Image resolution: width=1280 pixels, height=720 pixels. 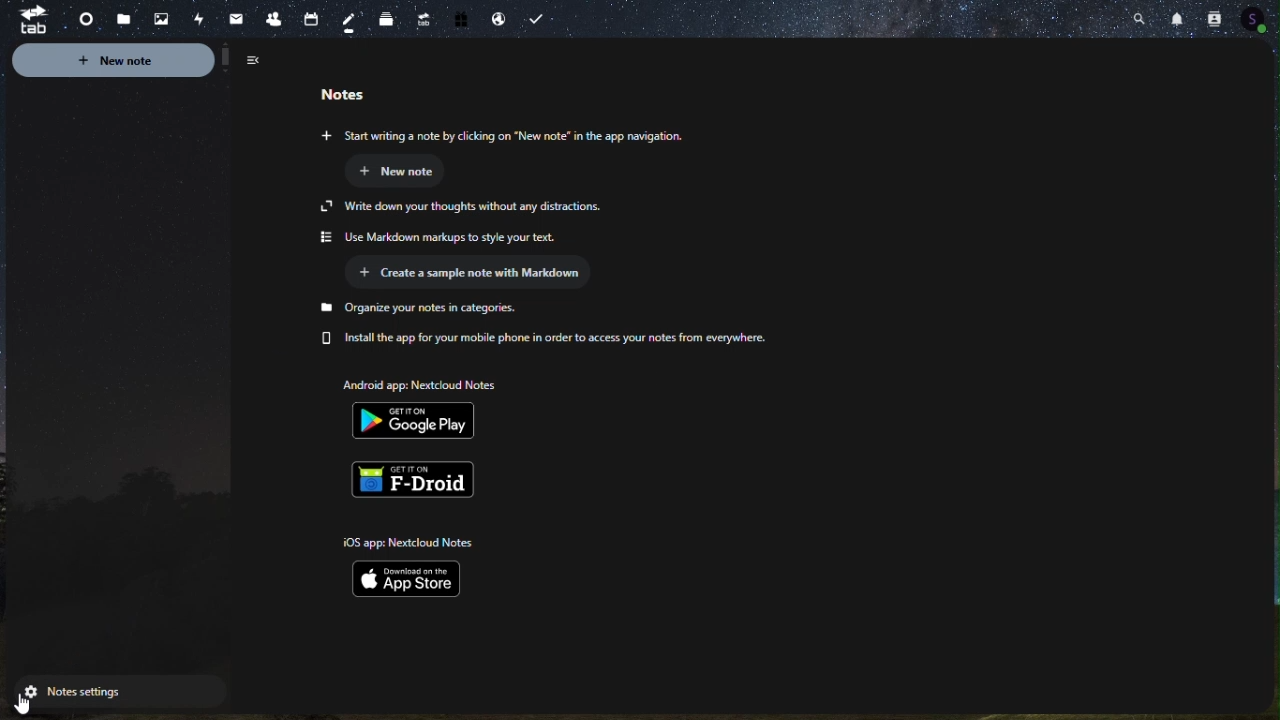 What do you see at coordinates (272, 16) in the screenshot?
I see `Contacts` at bounding box center [272, 16].